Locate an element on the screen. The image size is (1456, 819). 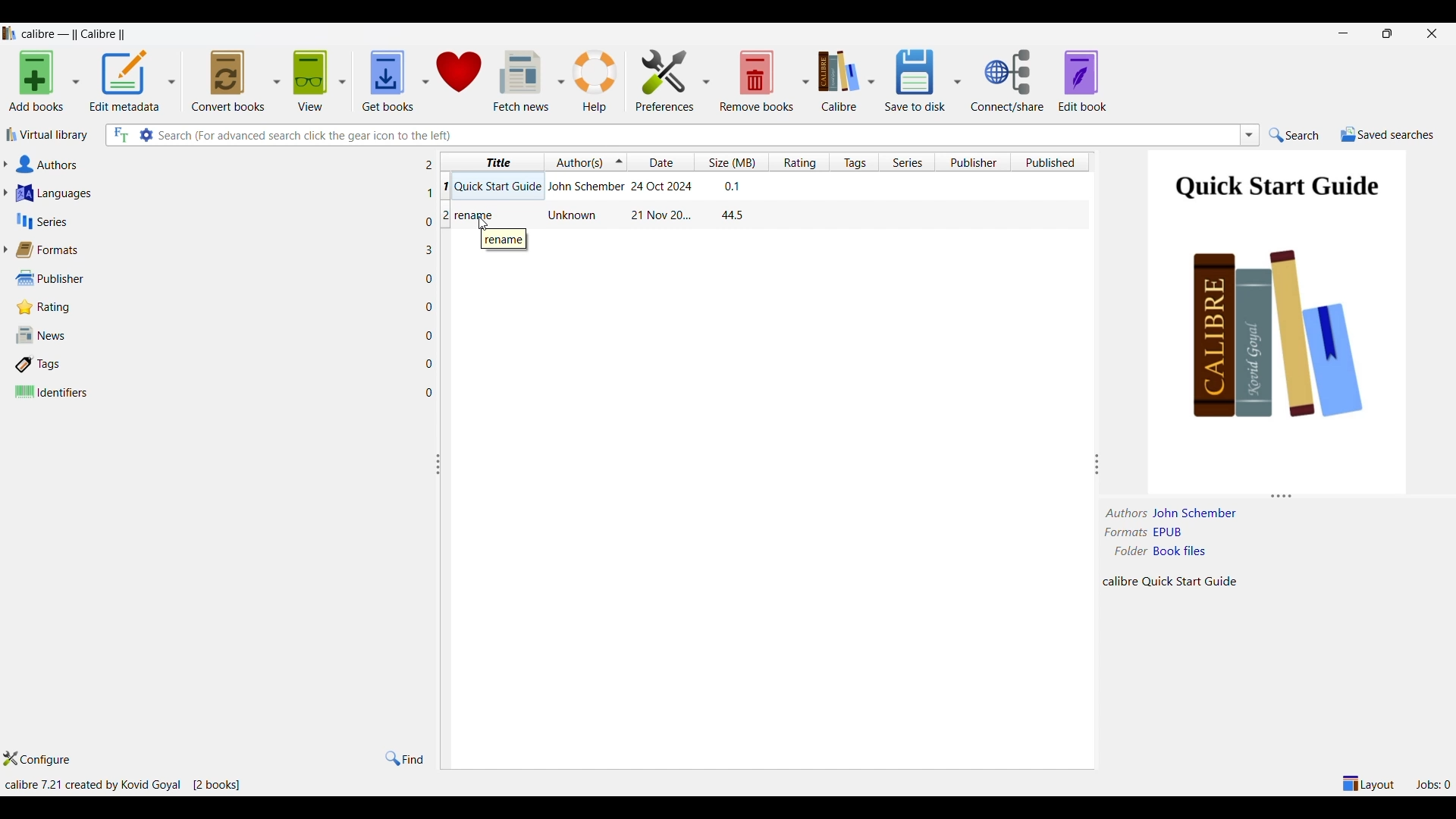
Advanced search is located at coordinates (146, 135).